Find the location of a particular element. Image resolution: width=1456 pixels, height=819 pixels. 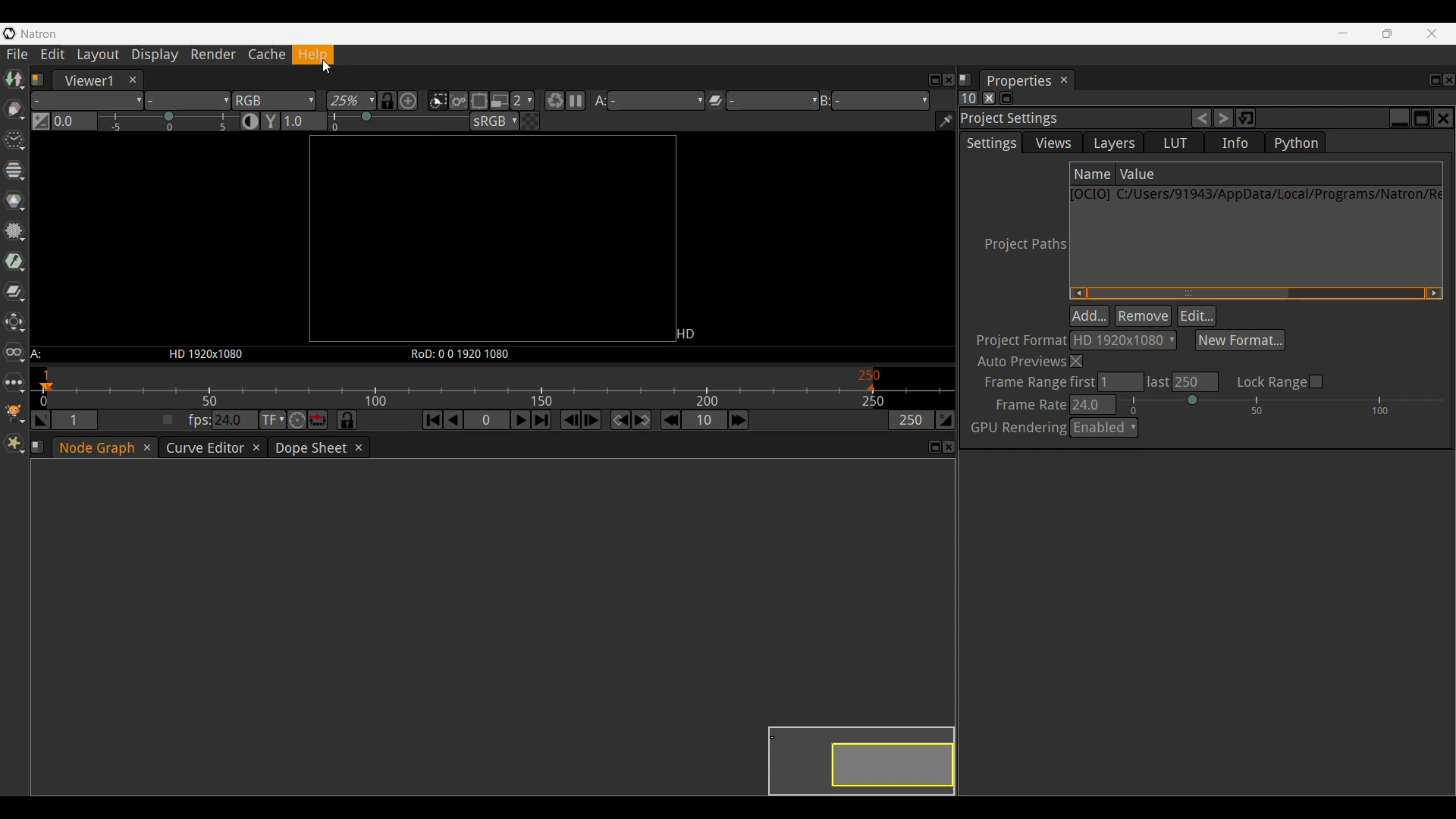

File menu is located at coordinates (16, 55).